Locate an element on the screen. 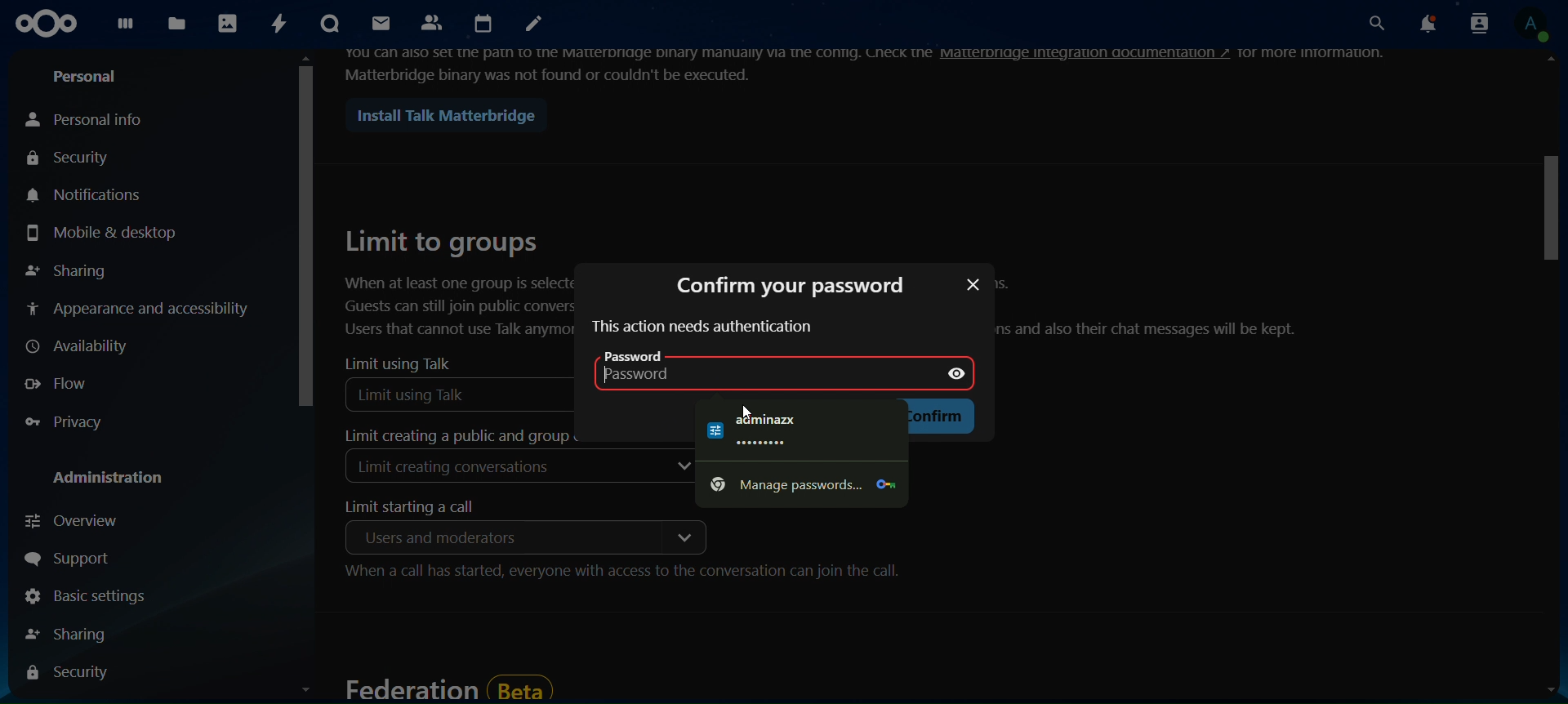 This screenshot has height=704, width=1568. notifications is located at coordinates (1423, 25).